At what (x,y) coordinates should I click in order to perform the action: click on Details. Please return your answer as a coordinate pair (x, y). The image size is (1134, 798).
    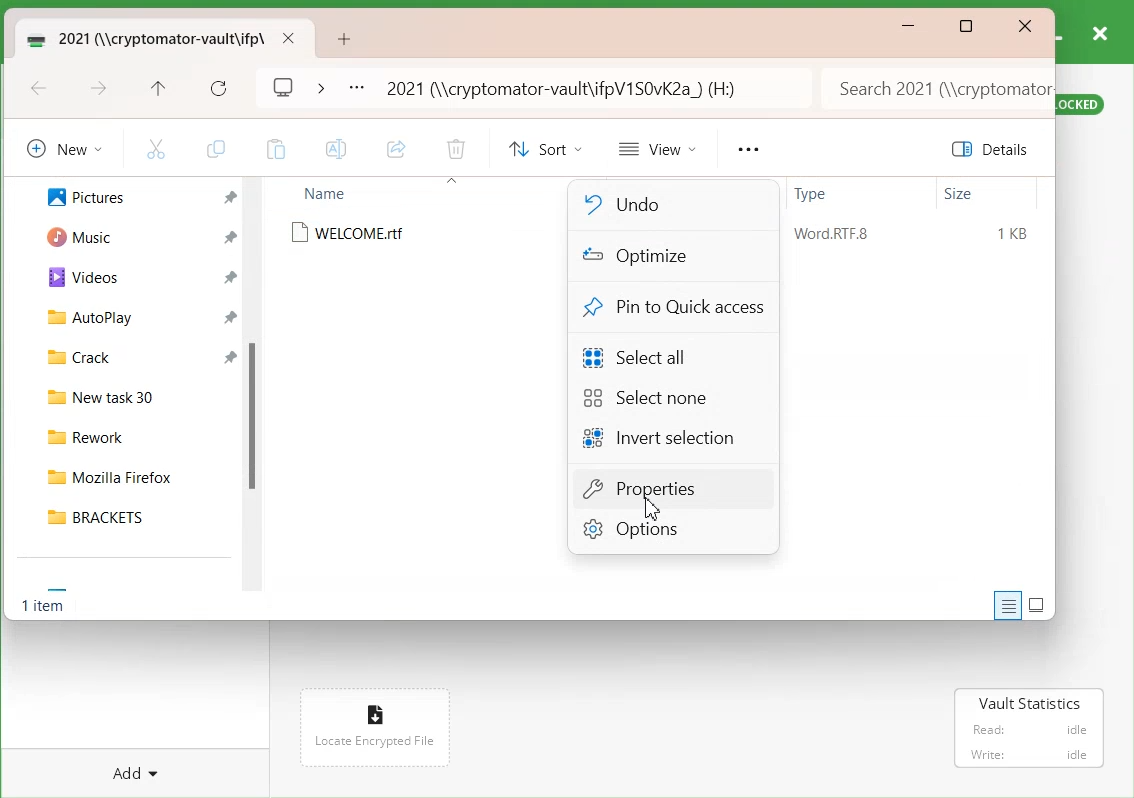
    Looking at the image, I should click on (994, 149).